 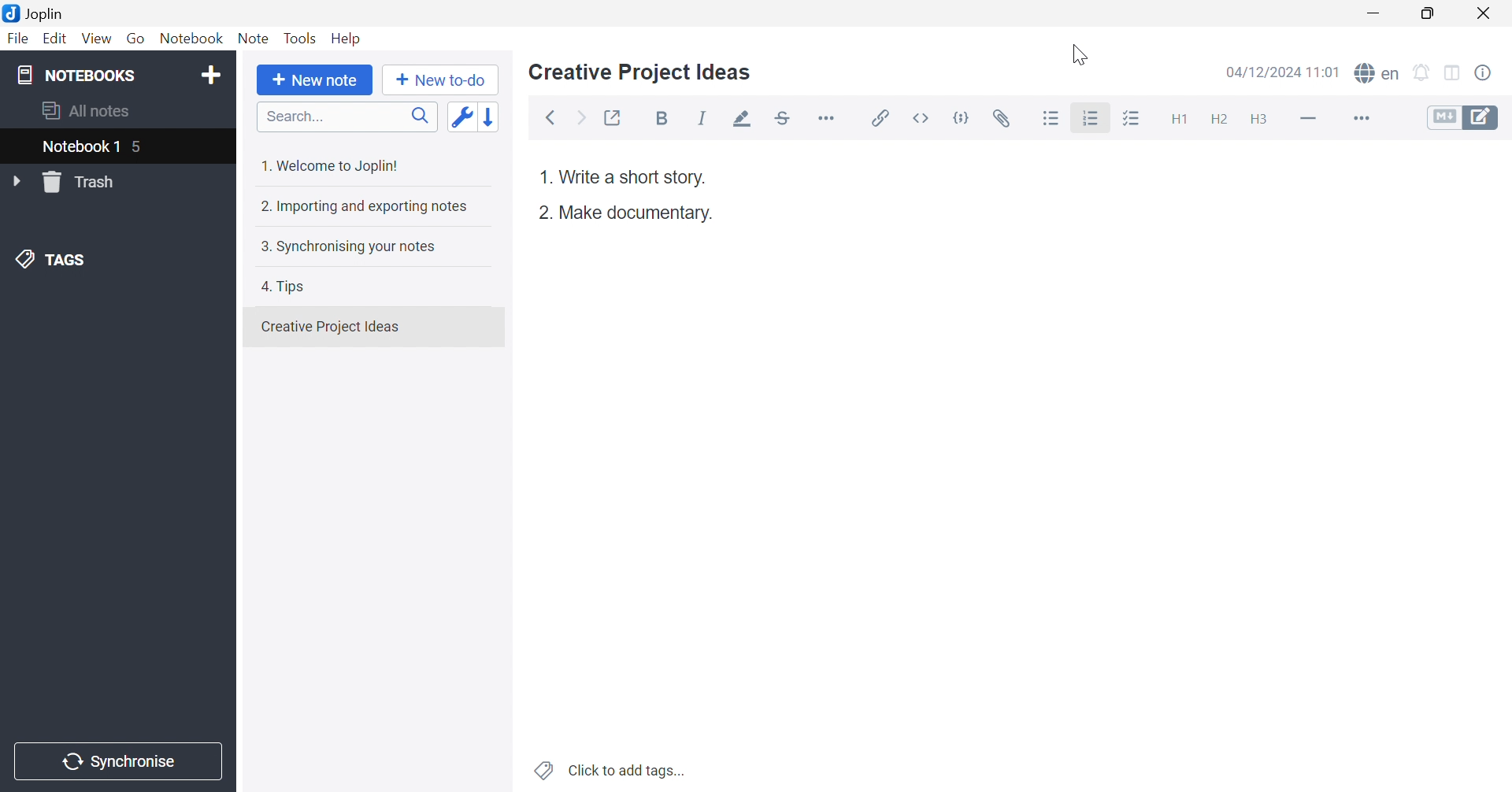 I want to click on Italic, so click(x=705, y=120).